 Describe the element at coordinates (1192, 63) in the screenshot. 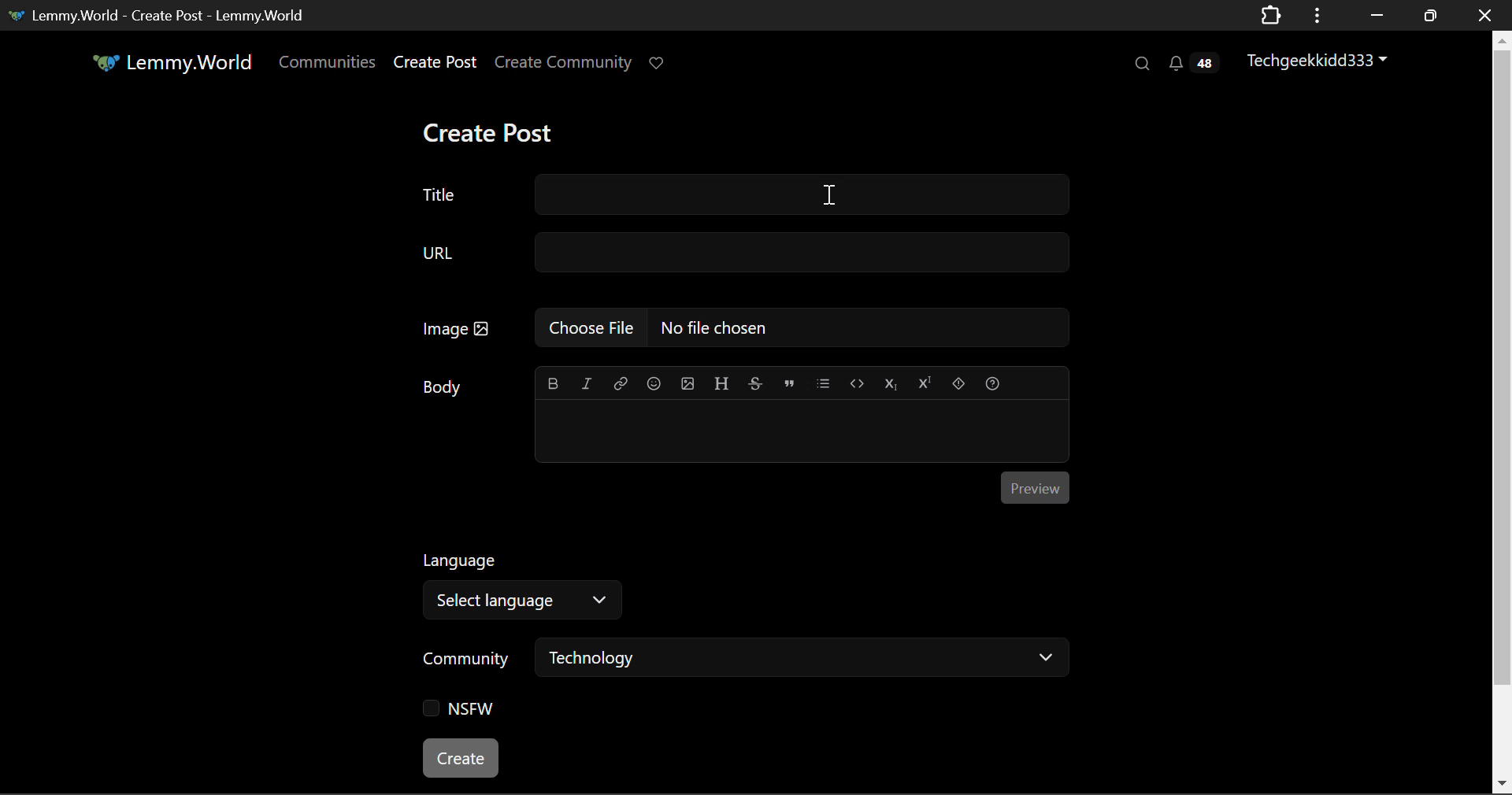

I see `Notifications` at that location.